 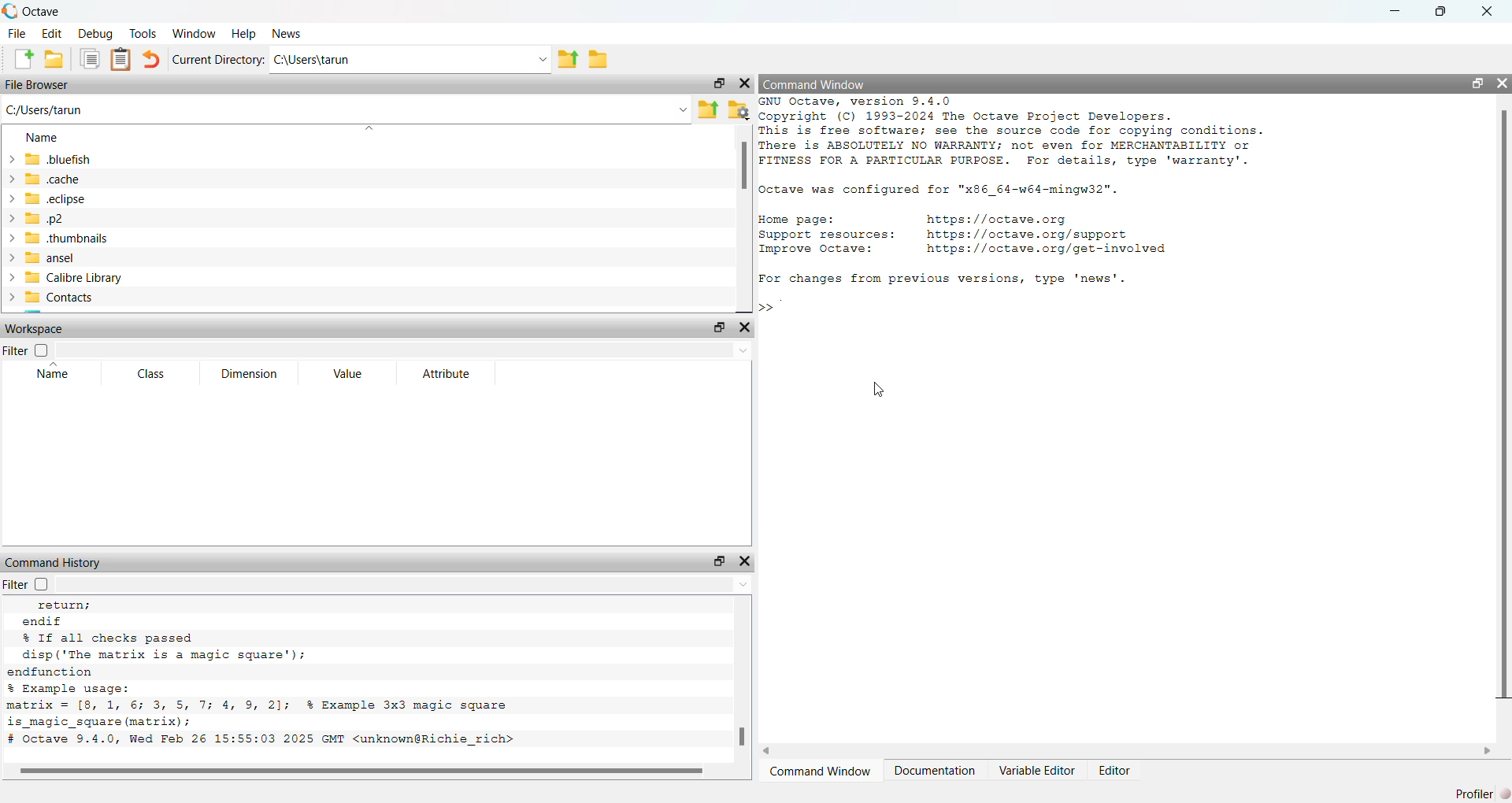 What do you see at coordinates (819, 771) in the screenshot?
I see `Command Window` at bounding box center [819, 771].